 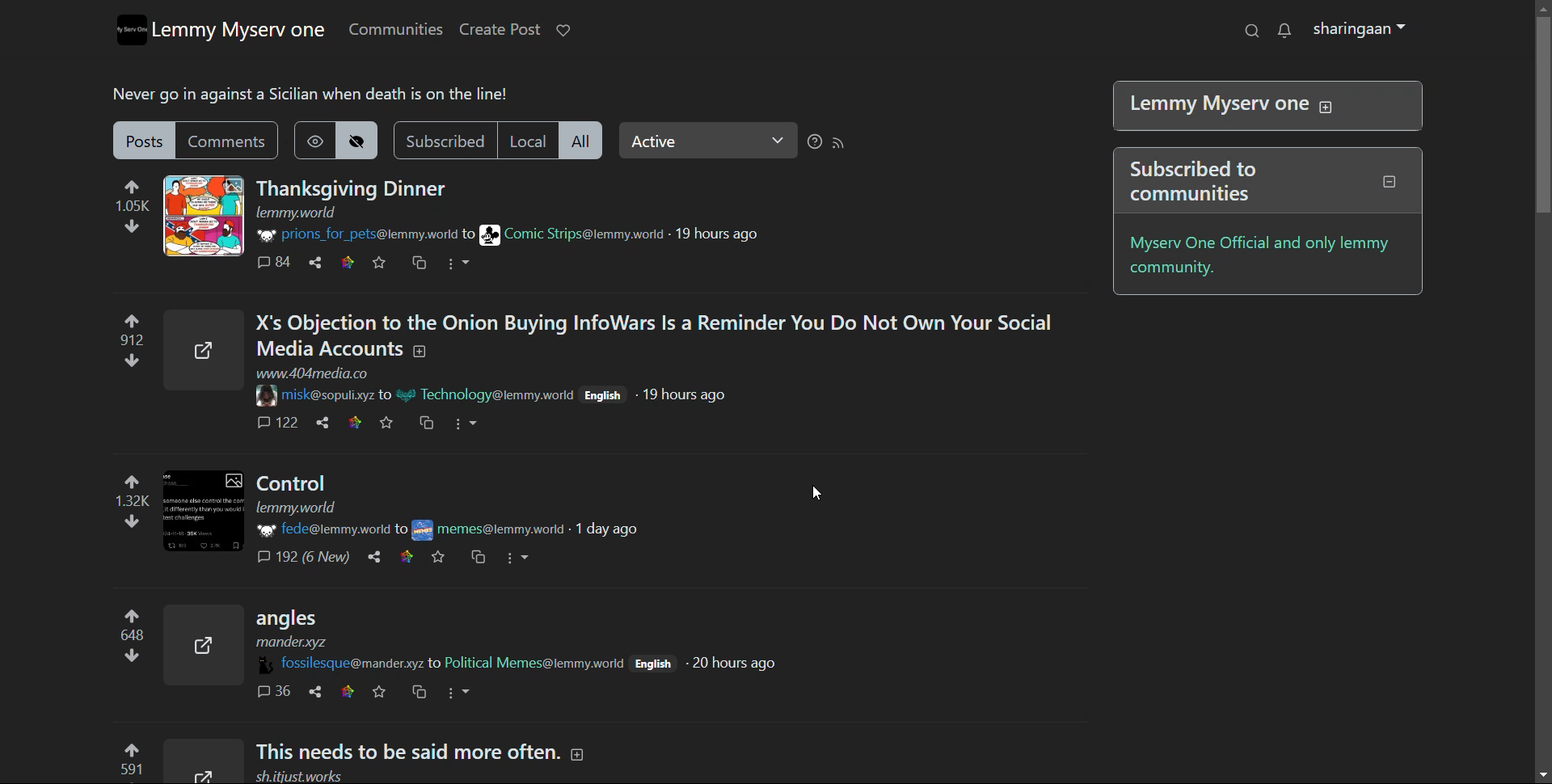 What do you see at coordinates (1537, 776) in the screenshot?
I see `Scroll arrow down` at bounding box center [1537, 776].